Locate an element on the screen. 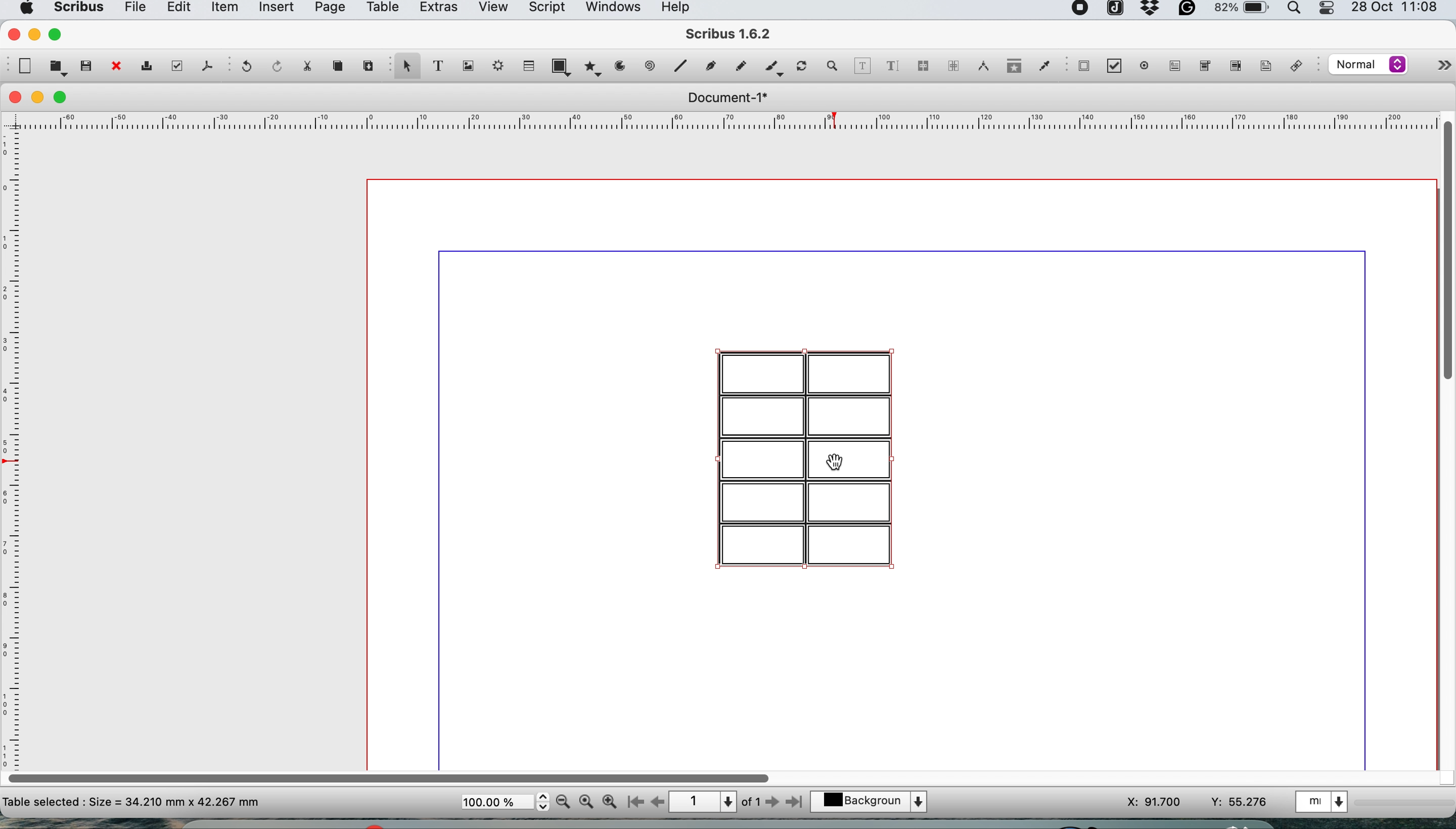 Image resolution: width=1456 pixels, height=829 pixels. pdf check button is located at coordinates (1084, 65).